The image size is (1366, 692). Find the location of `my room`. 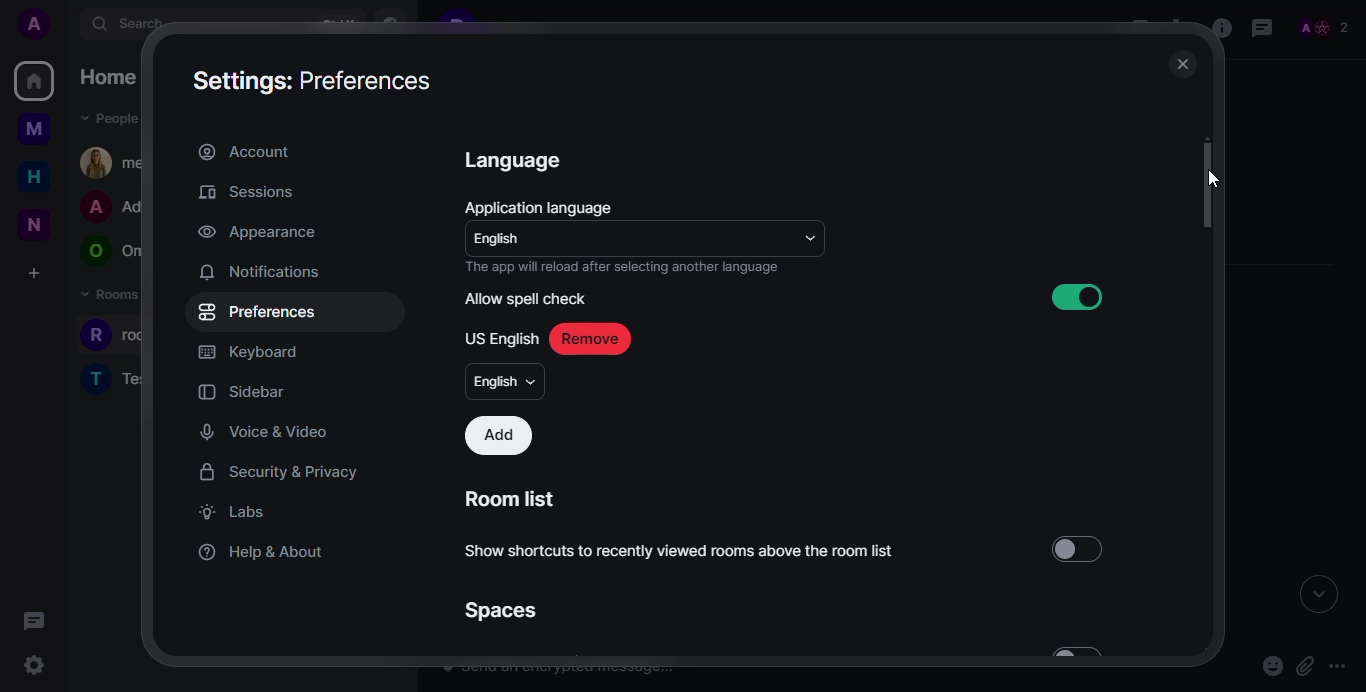

my room is located at coordinates (116, 162).